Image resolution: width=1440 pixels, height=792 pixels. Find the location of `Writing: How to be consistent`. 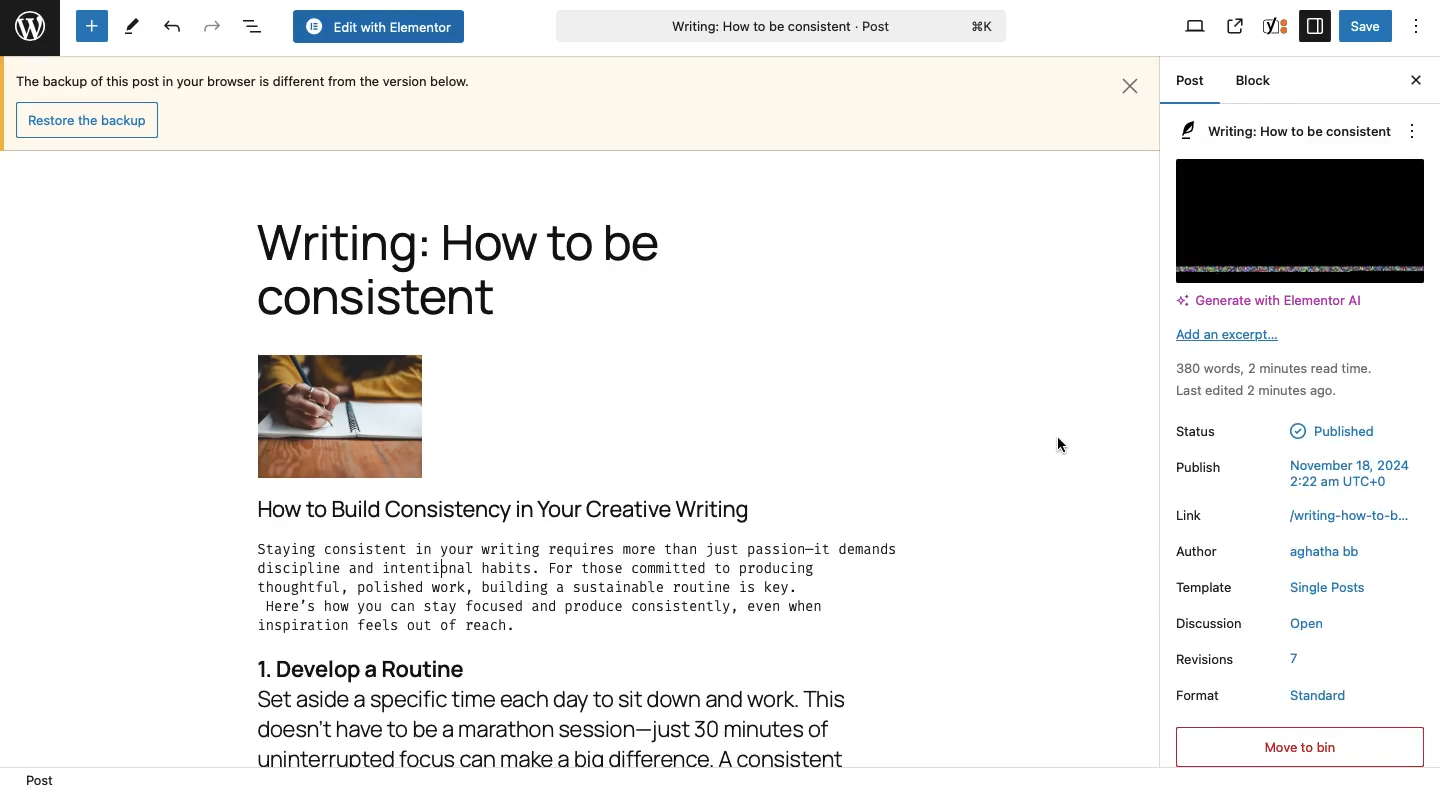

Writing: How to be consistent is located at coordinates (779, 29).